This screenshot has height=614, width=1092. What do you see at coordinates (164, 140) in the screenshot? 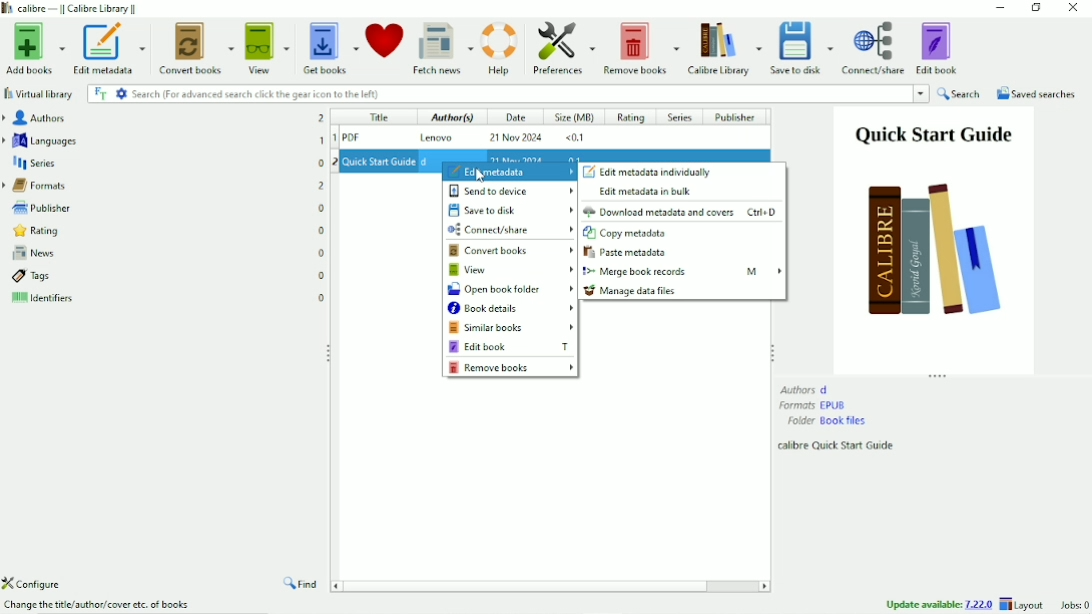
I see `Languages` at bounding box center [164, 140].